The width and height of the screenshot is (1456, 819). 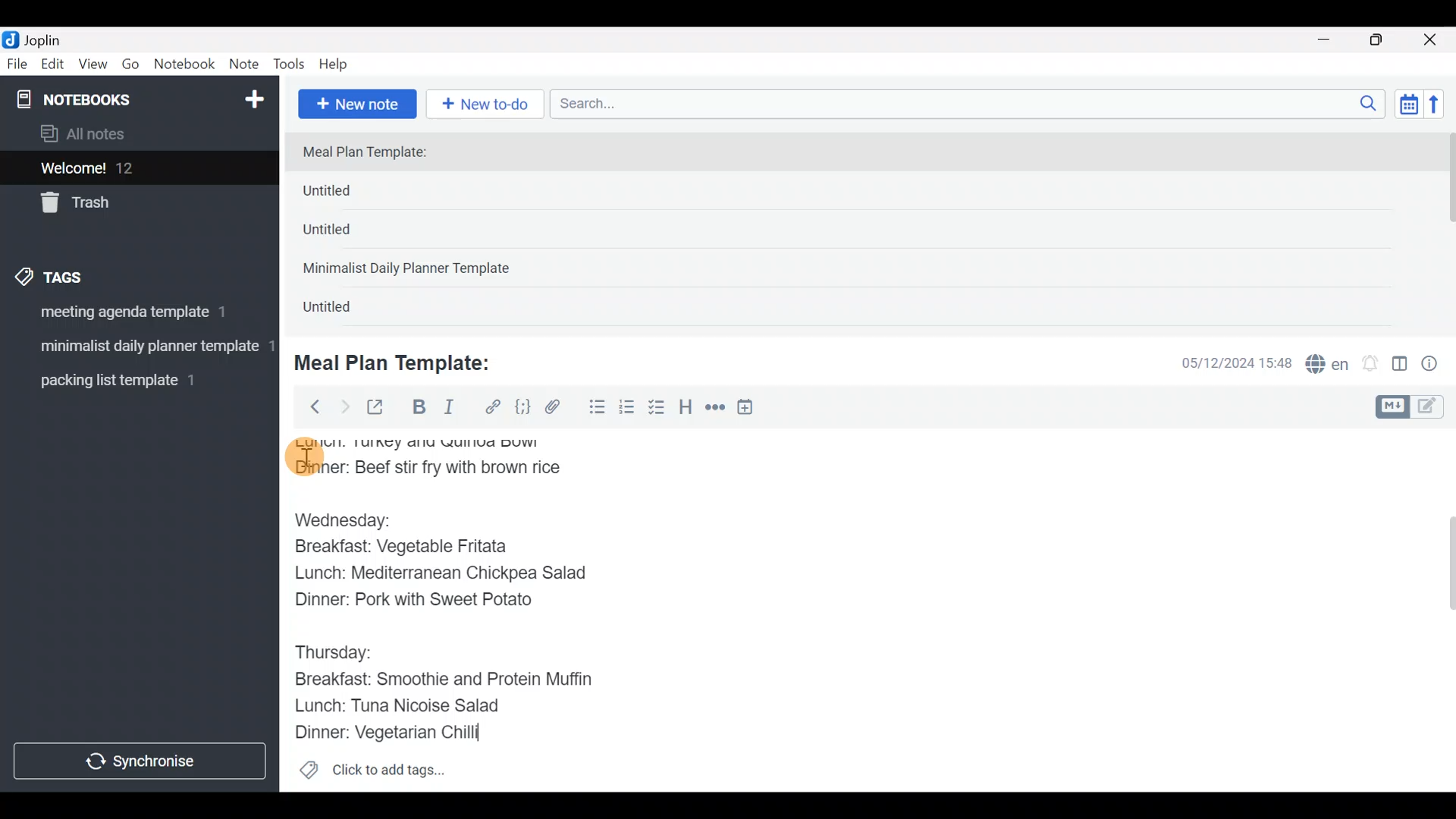 What do you see at coordinates (658, 409) in the screenshot?
I see `Checkbox` at bounding box center [658, 409].